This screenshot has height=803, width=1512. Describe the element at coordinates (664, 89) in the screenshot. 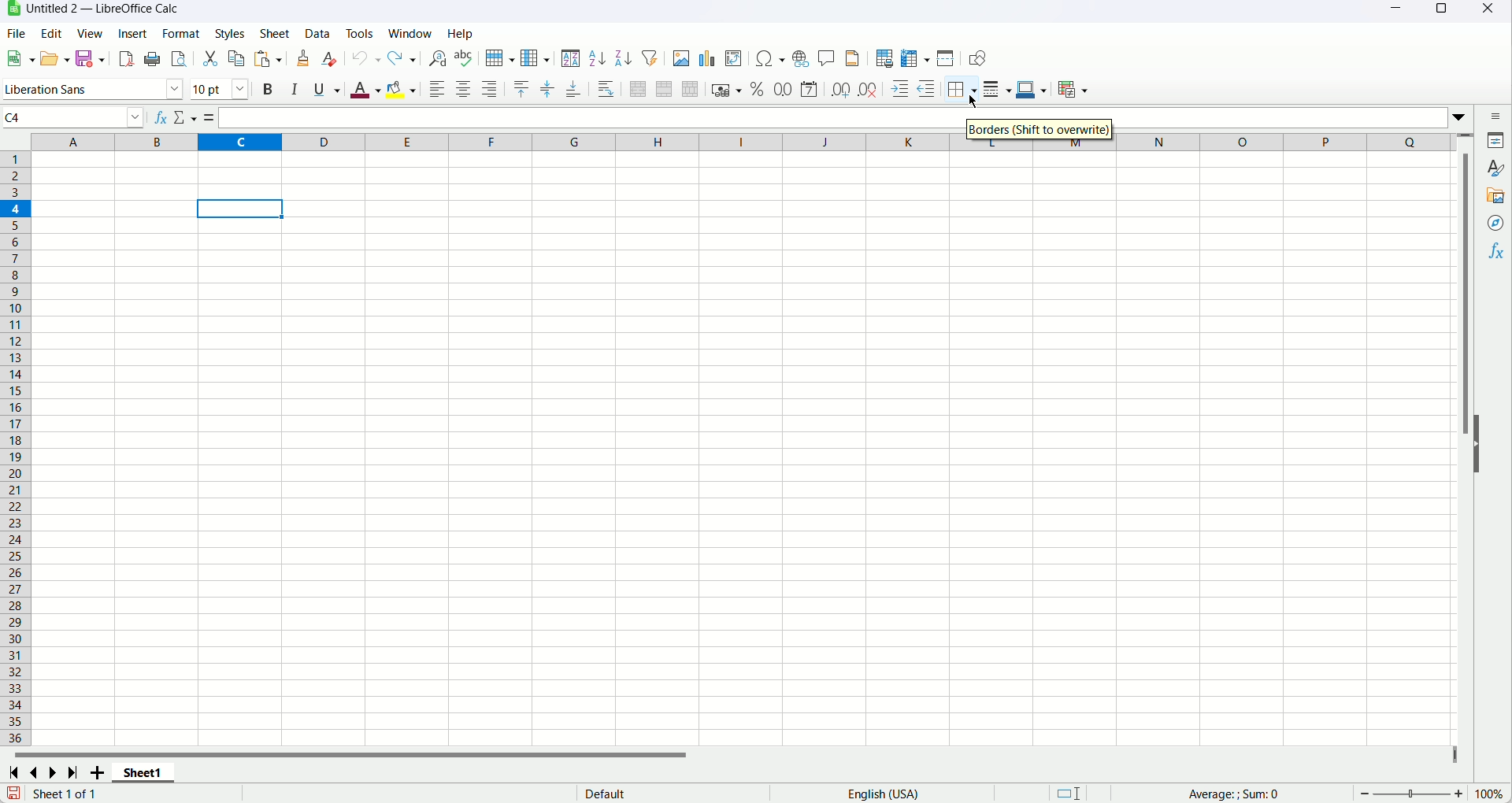

I see `Merge cells` at that location.